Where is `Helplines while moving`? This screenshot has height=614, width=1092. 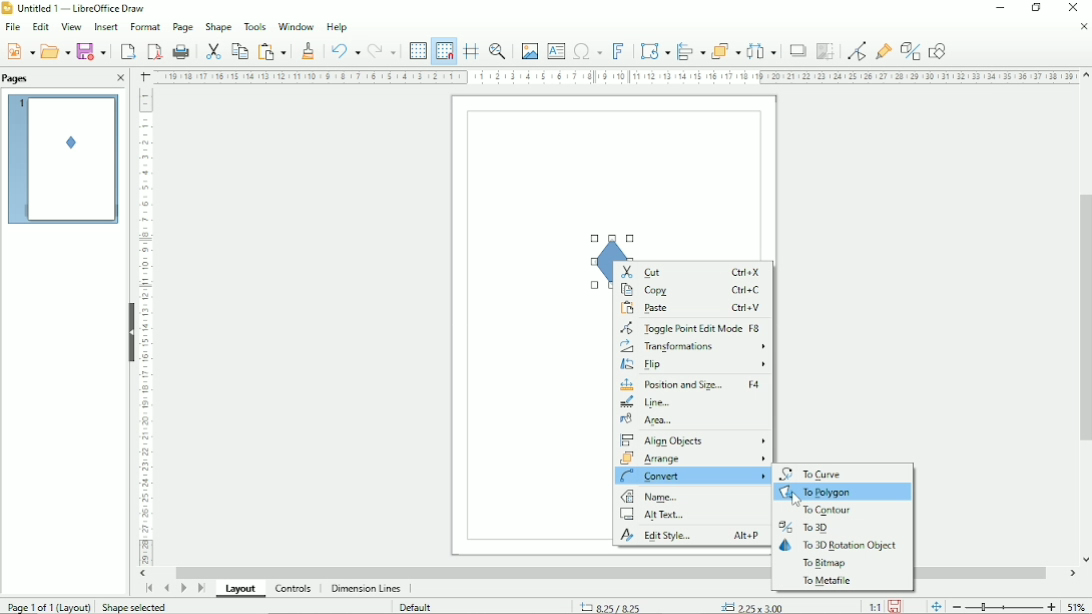 Helplines while moving is located at coordinates (470, 51).